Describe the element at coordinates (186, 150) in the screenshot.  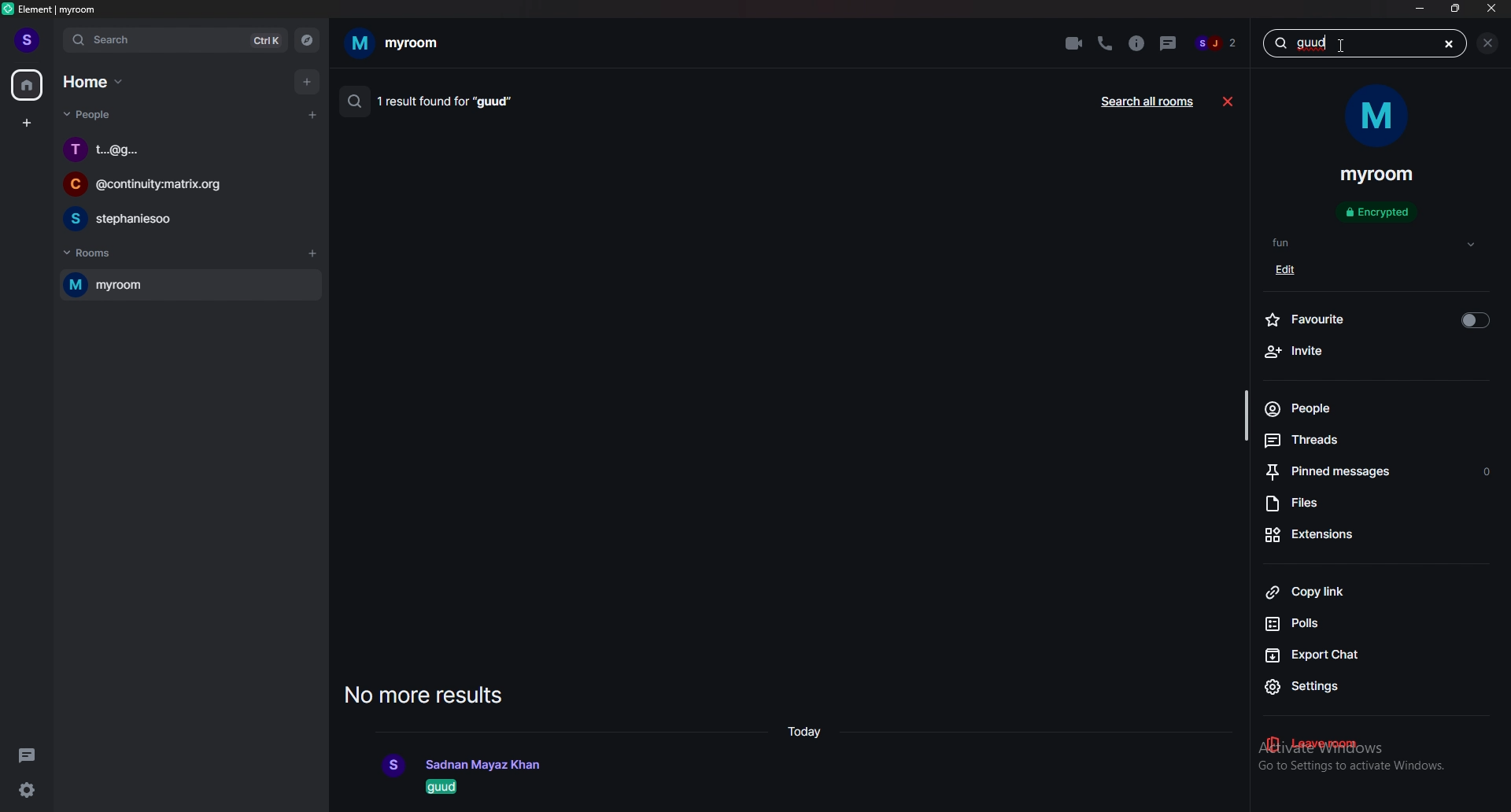
I see `chat` at that location.